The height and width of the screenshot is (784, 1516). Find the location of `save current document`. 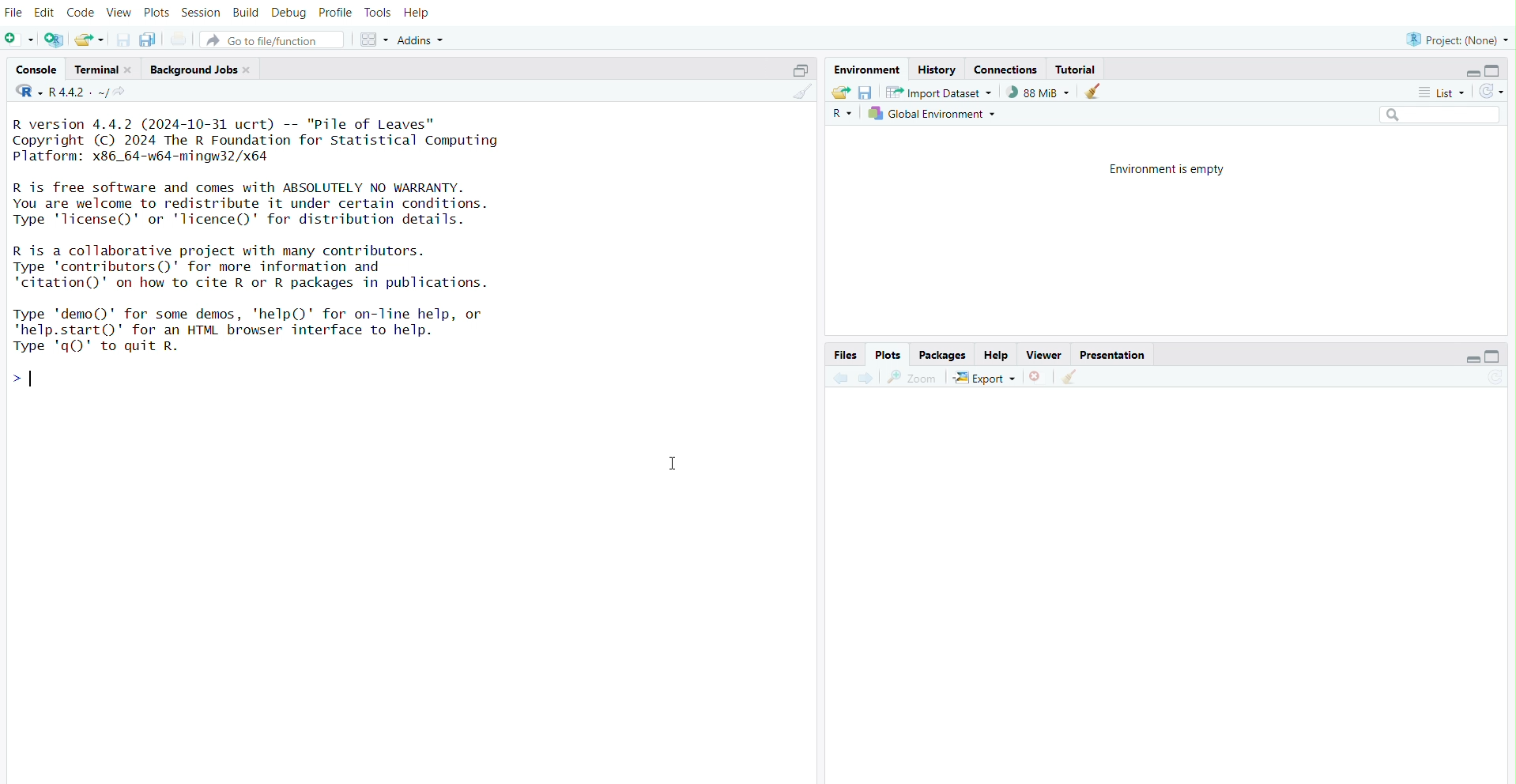

save current document is located at coordinates (122, 39).